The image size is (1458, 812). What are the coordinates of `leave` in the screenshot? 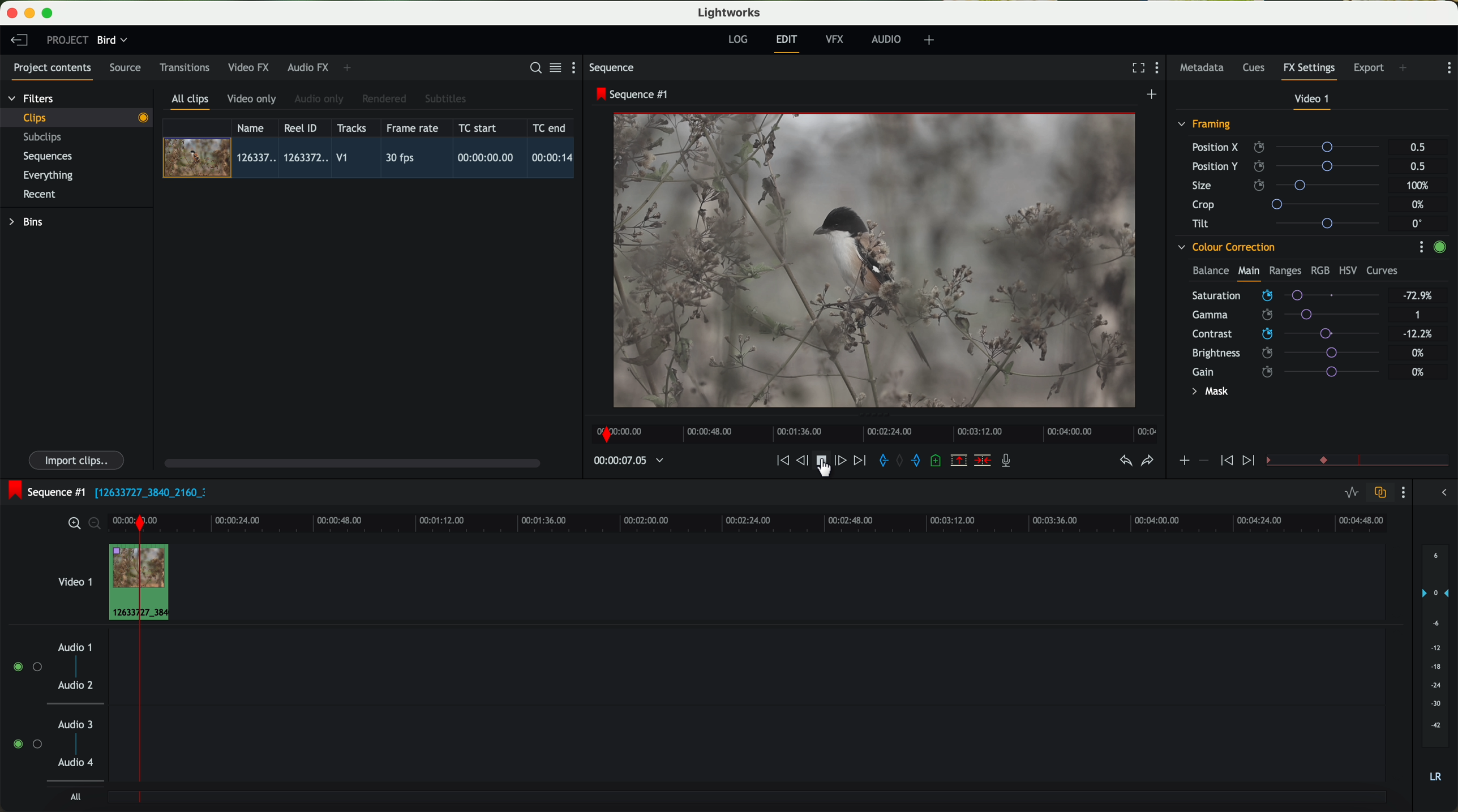 It's located at (19, 41).